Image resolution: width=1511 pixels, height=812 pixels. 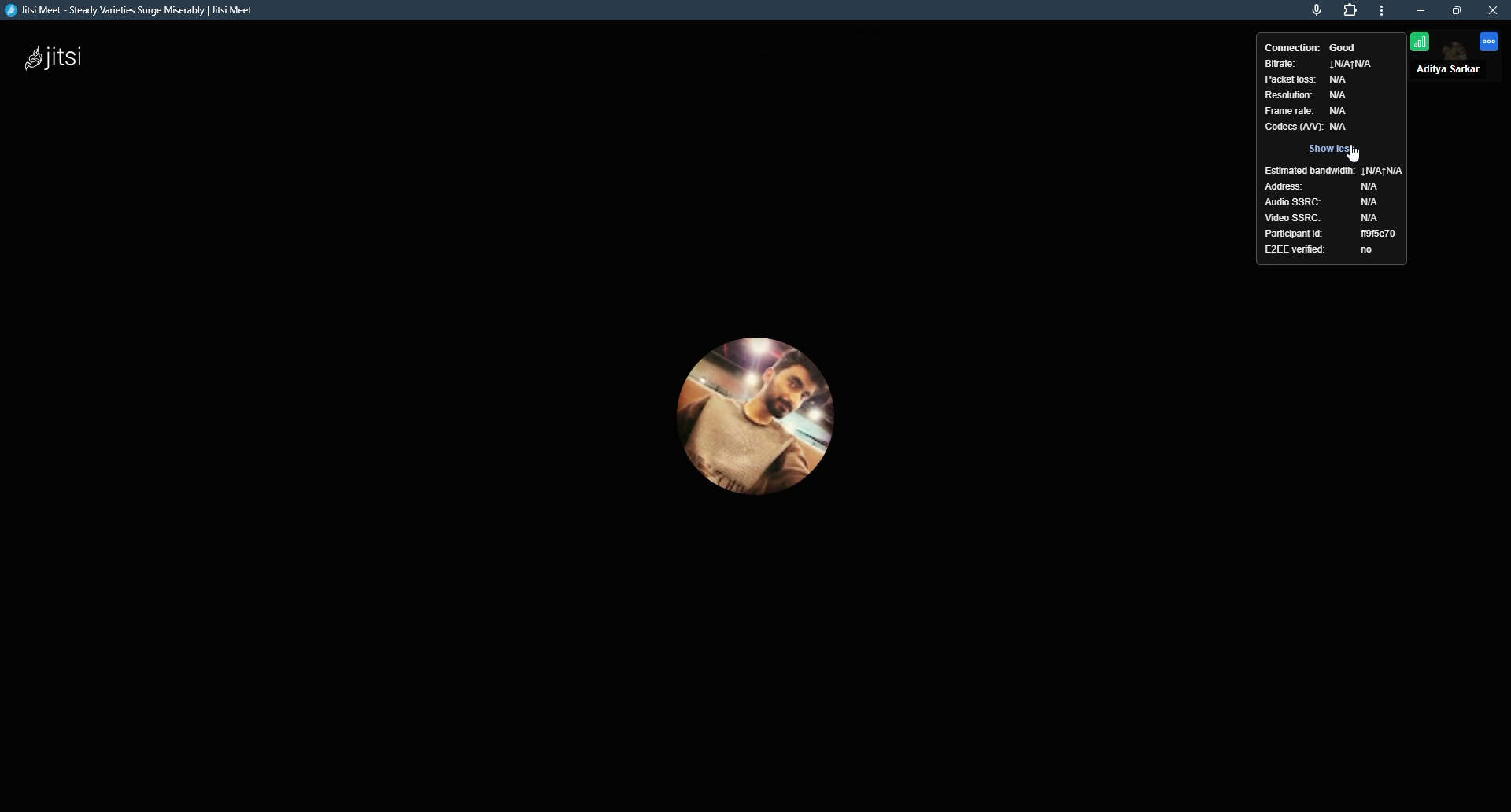 I want to click on maximize, so click(x=1460, y=12).